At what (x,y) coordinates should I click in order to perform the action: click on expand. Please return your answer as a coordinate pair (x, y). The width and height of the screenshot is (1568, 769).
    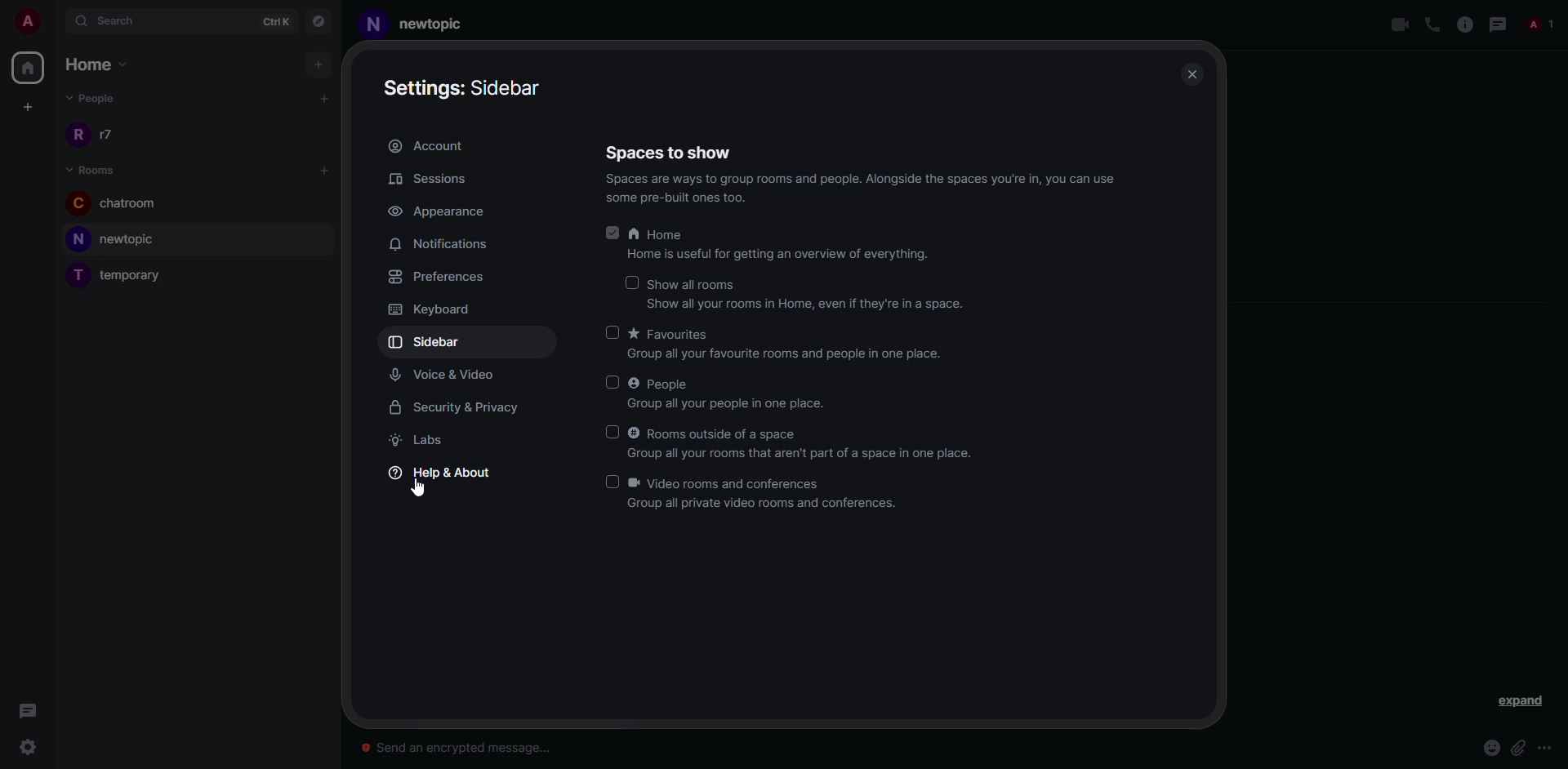
    Looking at the image, I should click on (55, 21).